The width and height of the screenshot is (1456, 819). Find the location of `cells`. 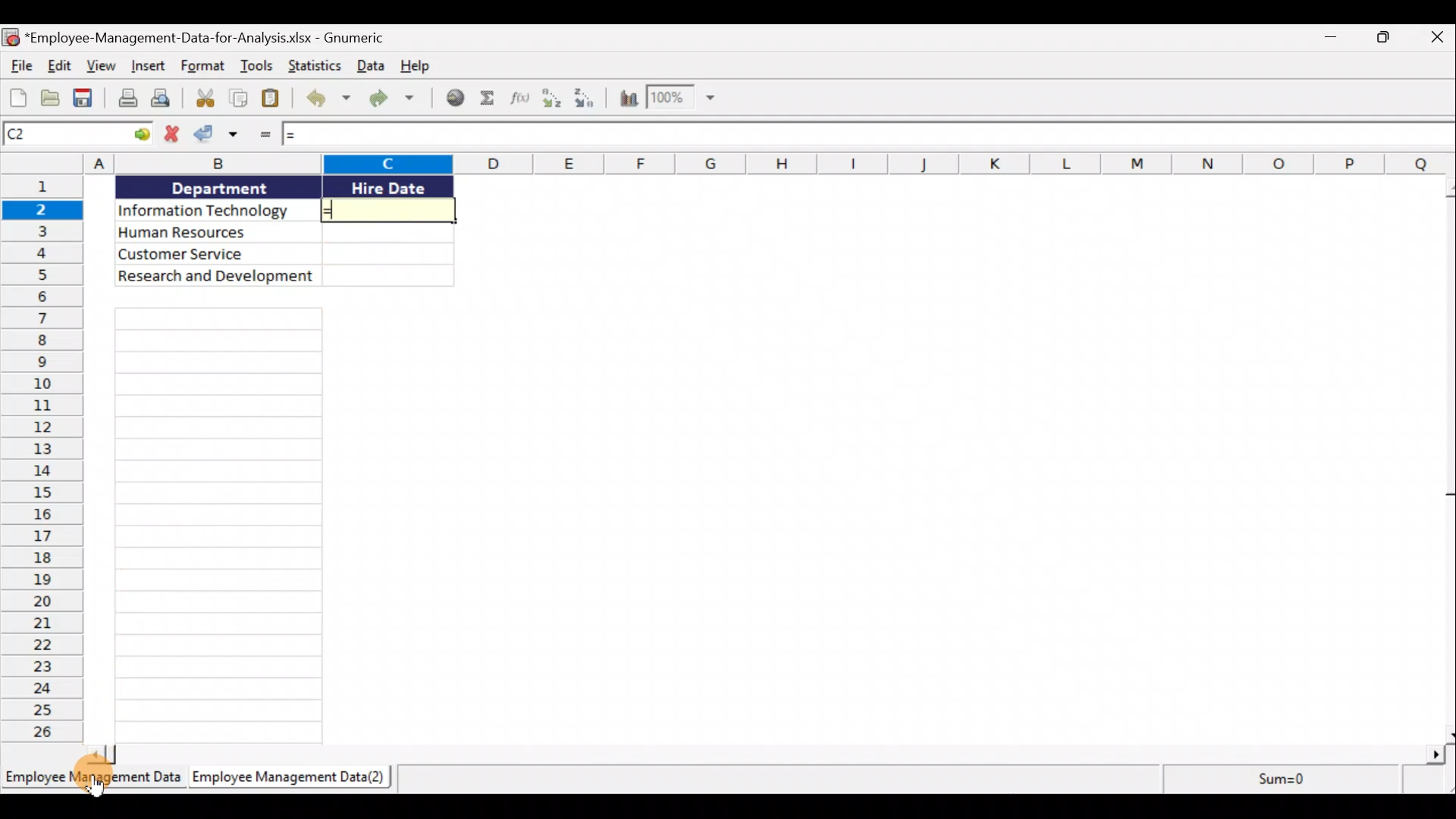

cells is located at coordinates (215, 526).